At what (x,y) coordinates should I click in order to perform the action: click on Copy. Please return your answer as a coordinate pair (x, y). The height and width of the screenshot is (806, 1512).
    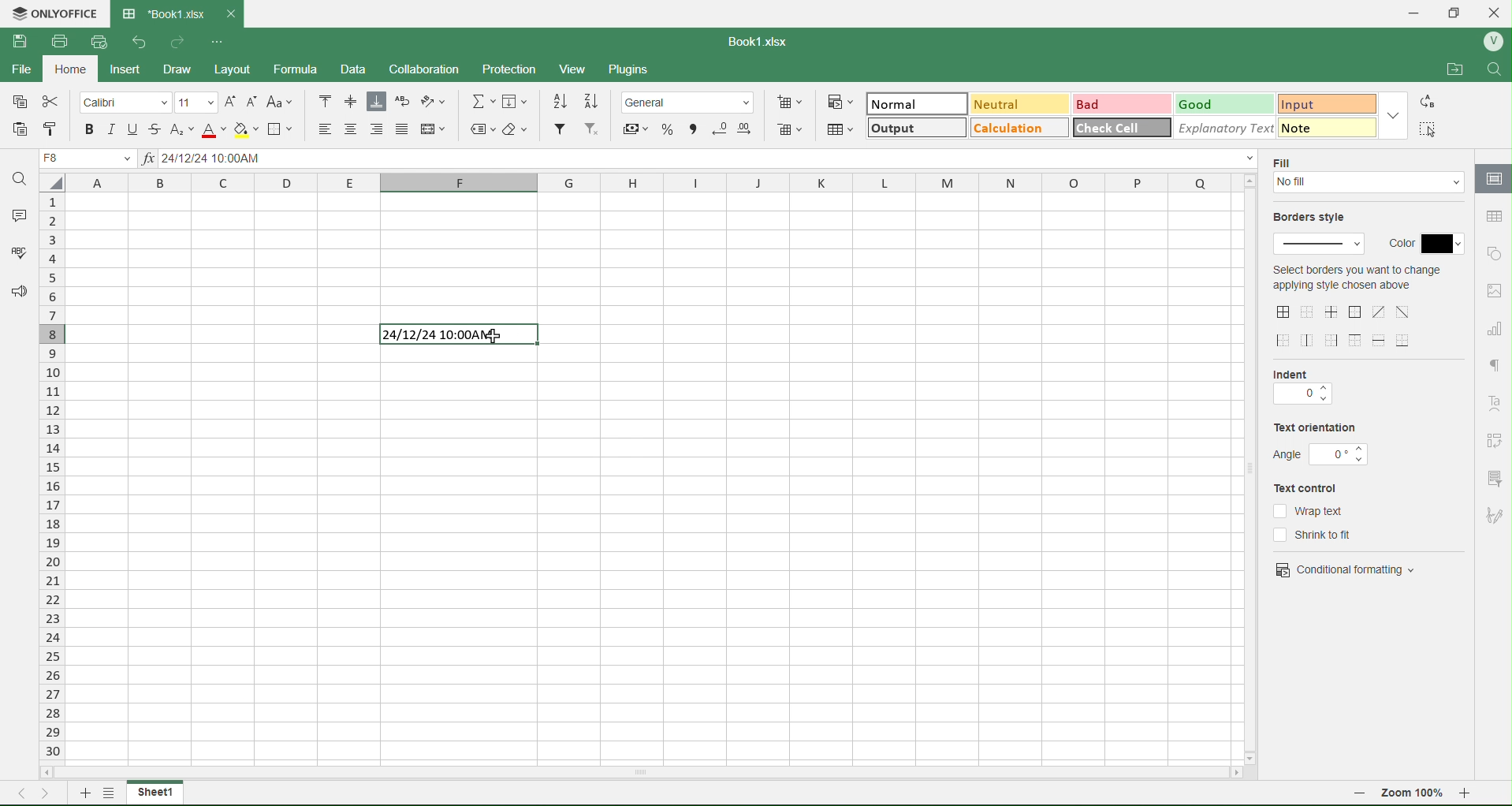
    Looking at the image, I should click on (20, 103).